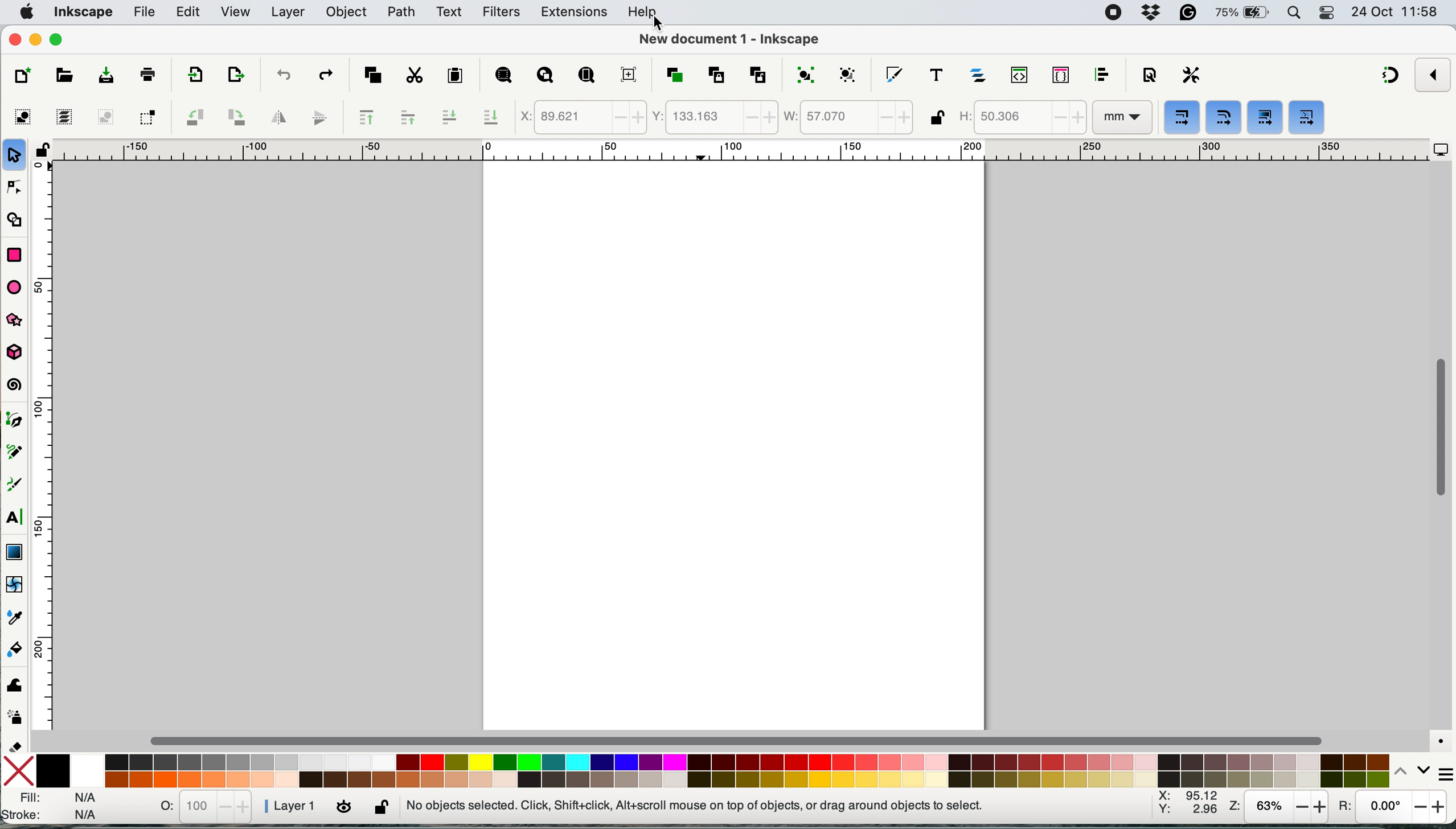  I want to click on color managed mode, so click(1439, 737).